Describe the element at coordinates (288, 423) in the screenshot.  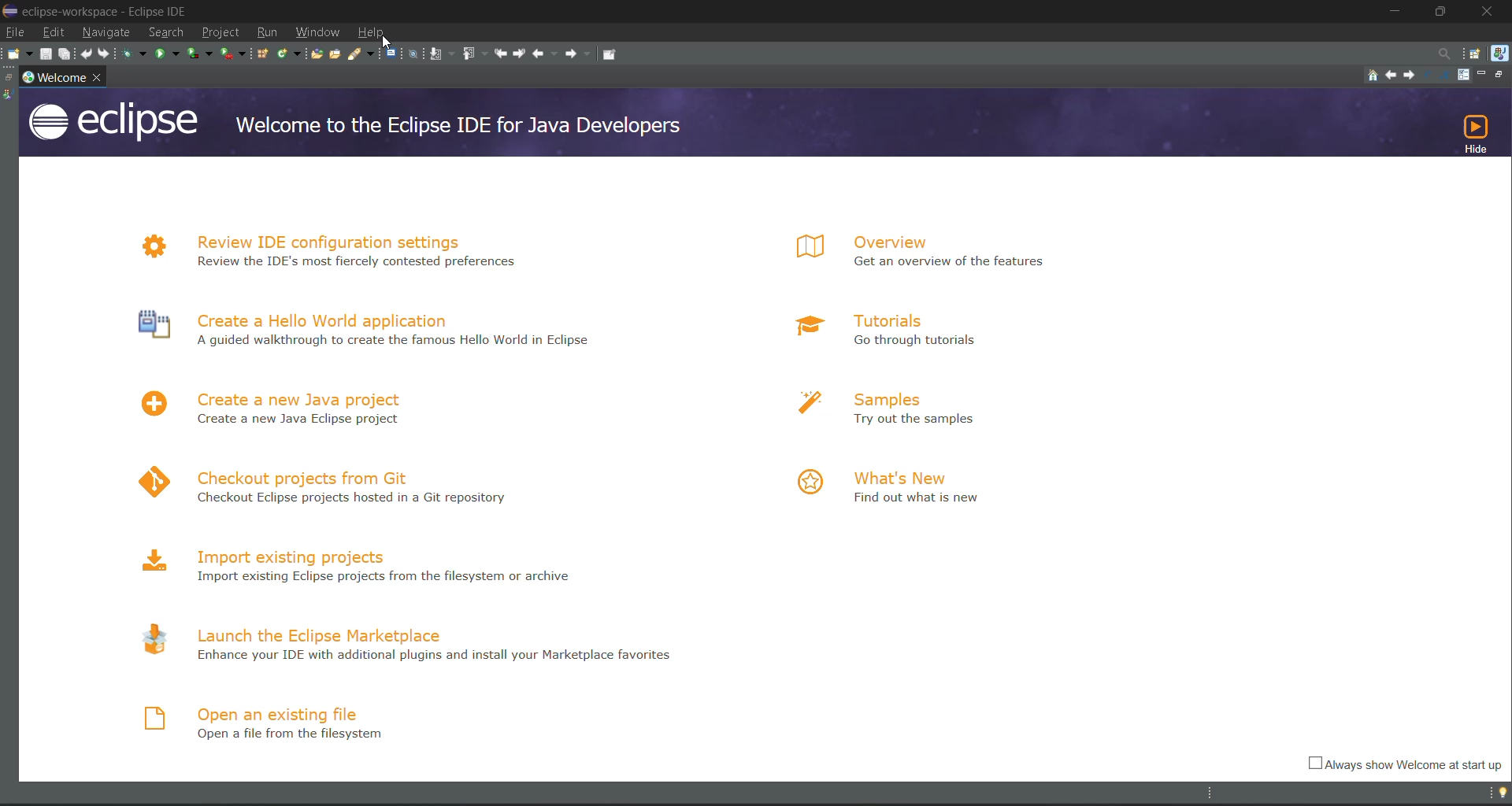
I see `Create a new Java project` at that location.